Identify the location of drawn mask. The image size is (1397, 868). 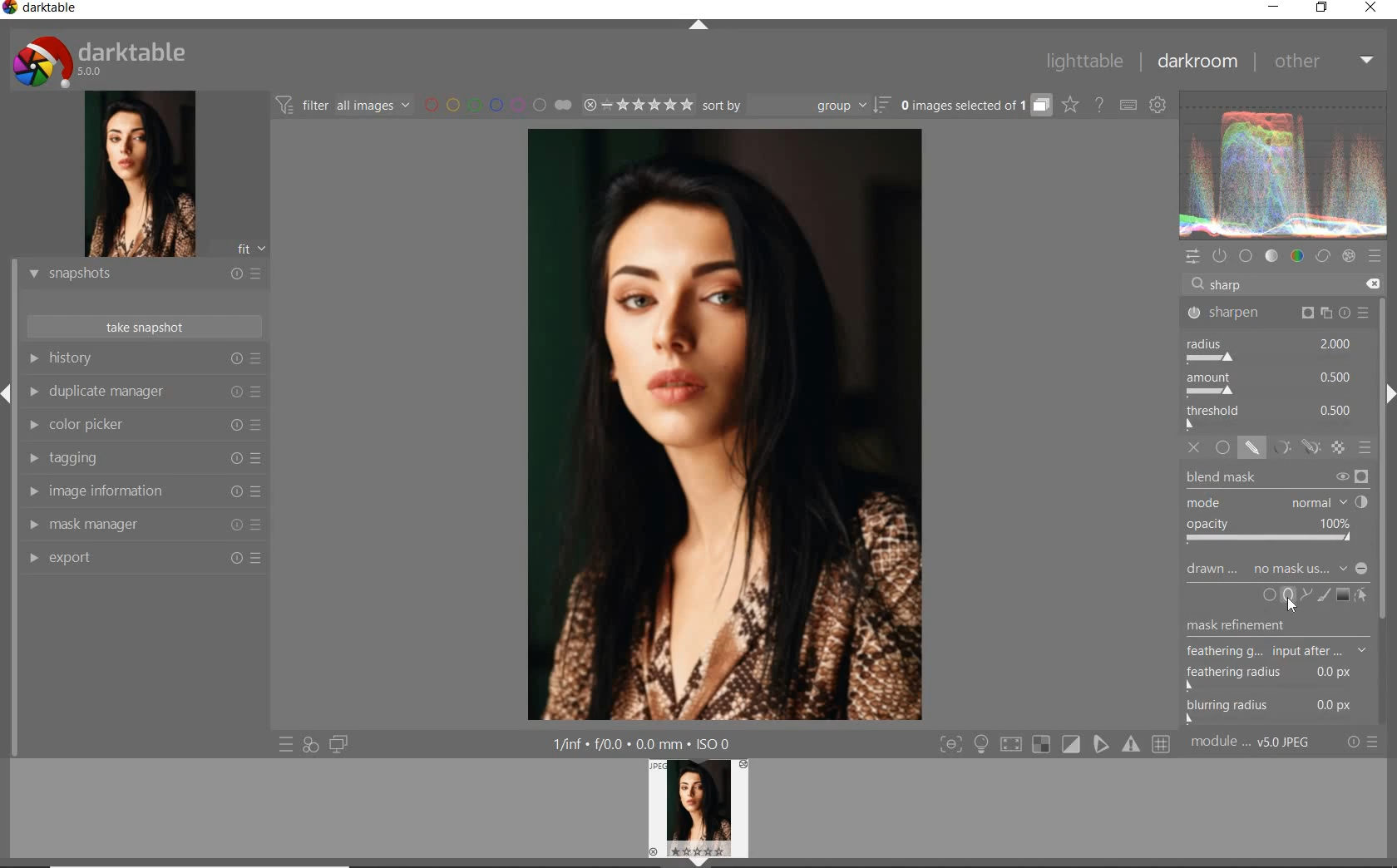
(1212, 572).